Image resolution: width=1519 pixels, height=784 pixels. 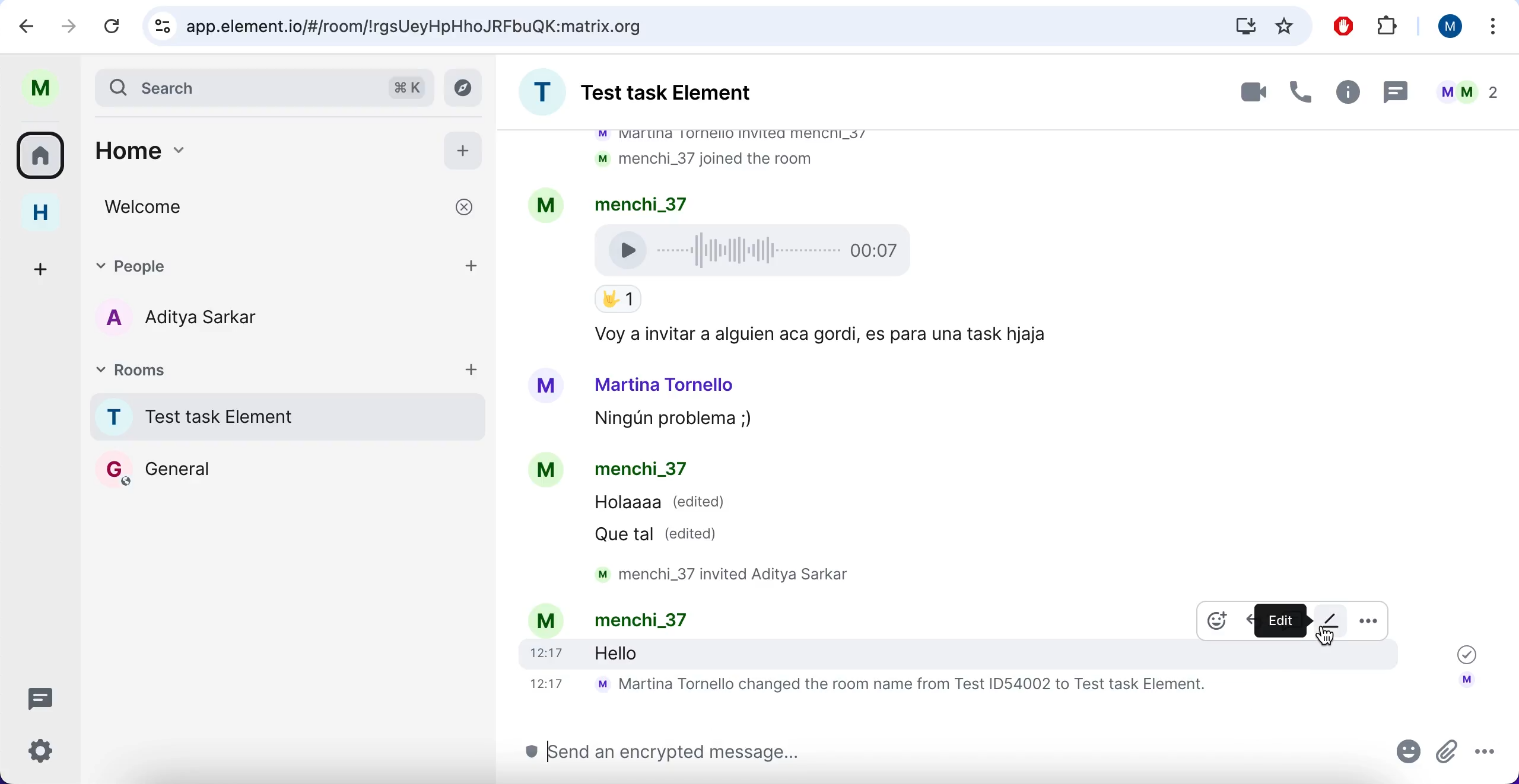 What do you see at coordinates (1326, 636) in the screenshot?
I see `cursor` at bounding box center [1326, 636].